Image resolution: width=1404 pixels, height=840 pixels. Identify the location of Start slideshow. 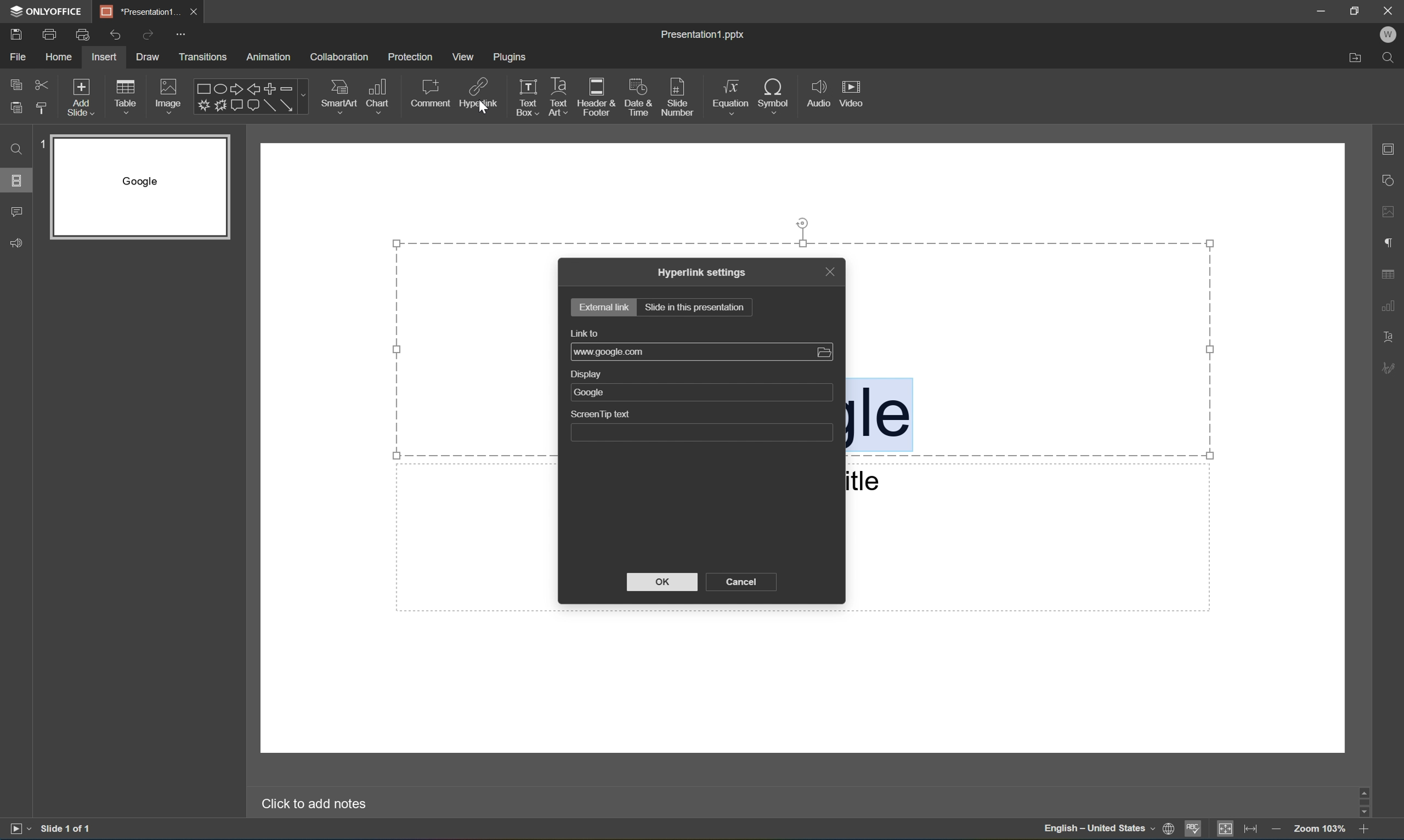
(16, 832).